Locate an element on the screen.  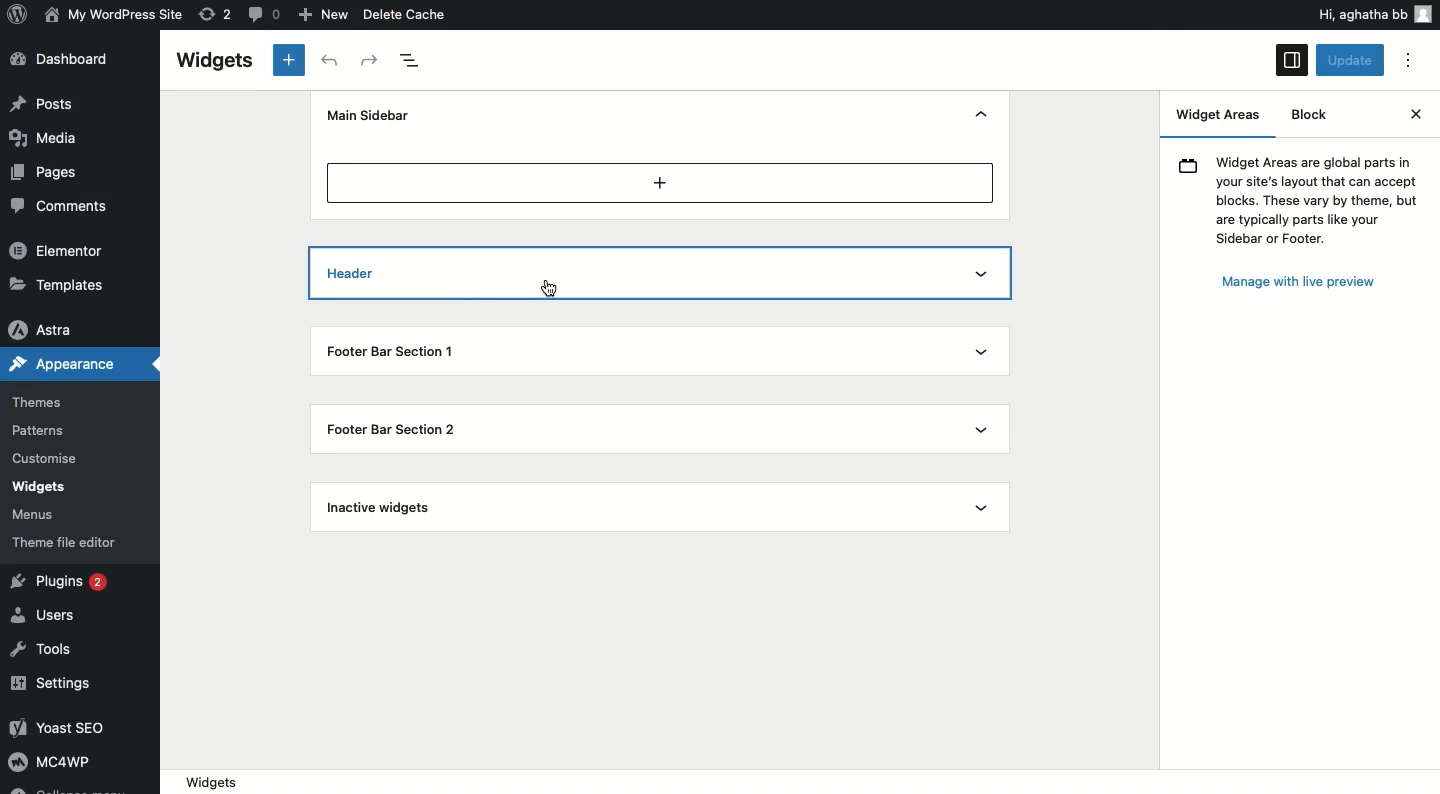
New is located at coordinates (326, 15).